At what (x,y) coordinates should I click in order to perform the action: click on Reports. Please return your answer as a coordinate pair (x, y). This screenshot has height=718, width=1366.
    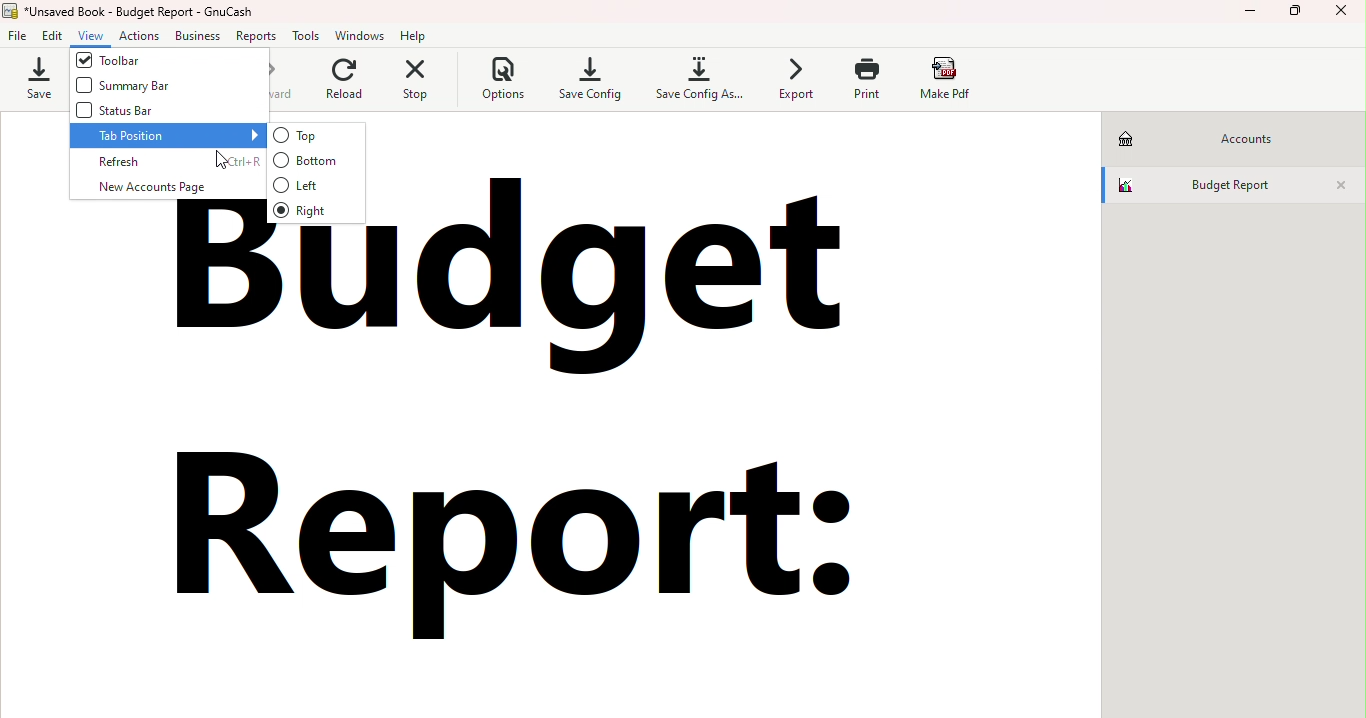
    Looking at the image, I should click on (259, 36).